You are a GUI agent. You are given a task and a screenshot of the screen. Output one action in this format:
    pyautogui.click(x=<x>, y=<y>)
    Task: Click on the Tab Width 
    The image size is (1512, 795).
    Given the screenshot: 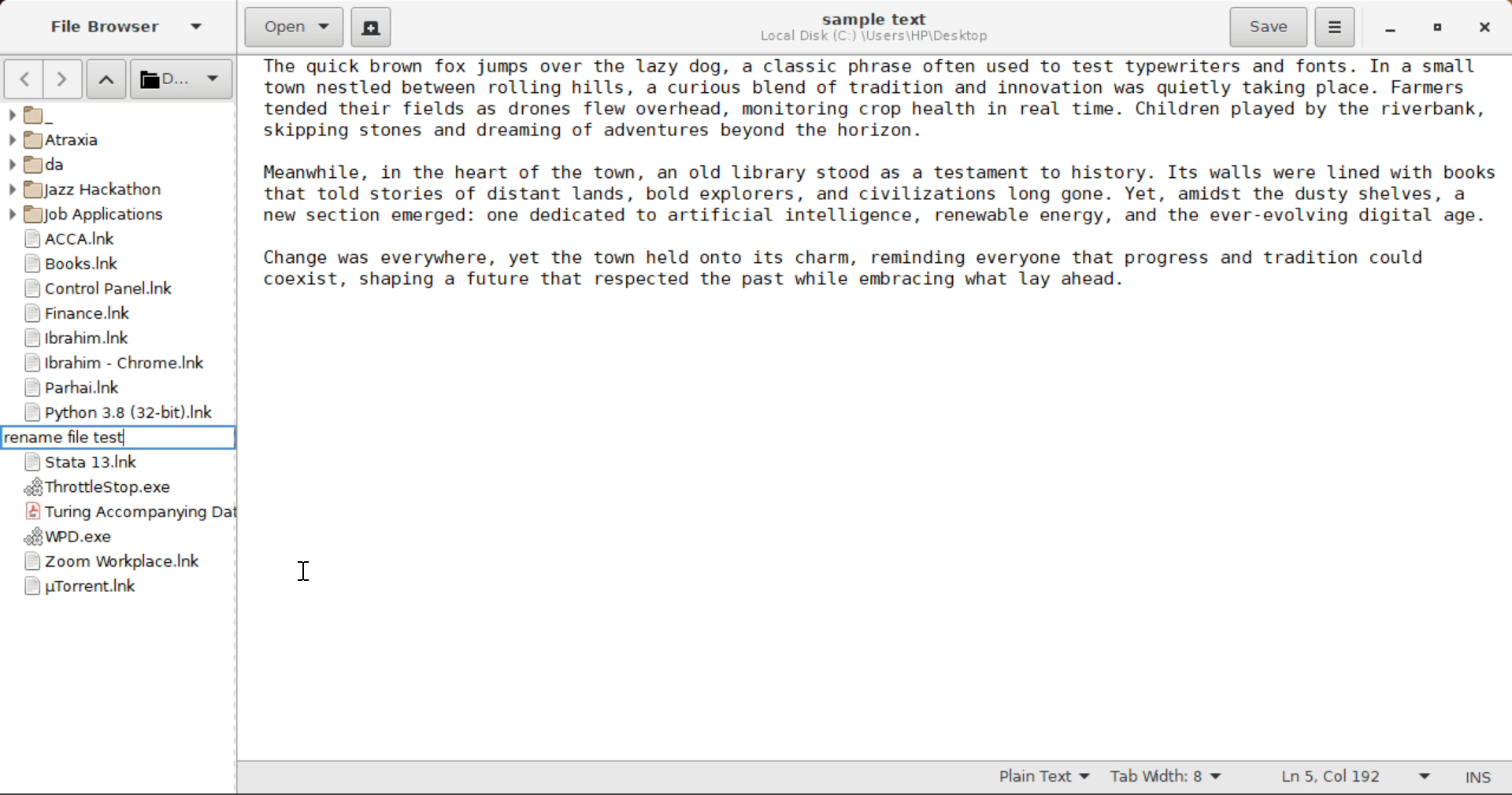 What is the action you would take?
    pyautogui.click(x=1166, y=778)
    